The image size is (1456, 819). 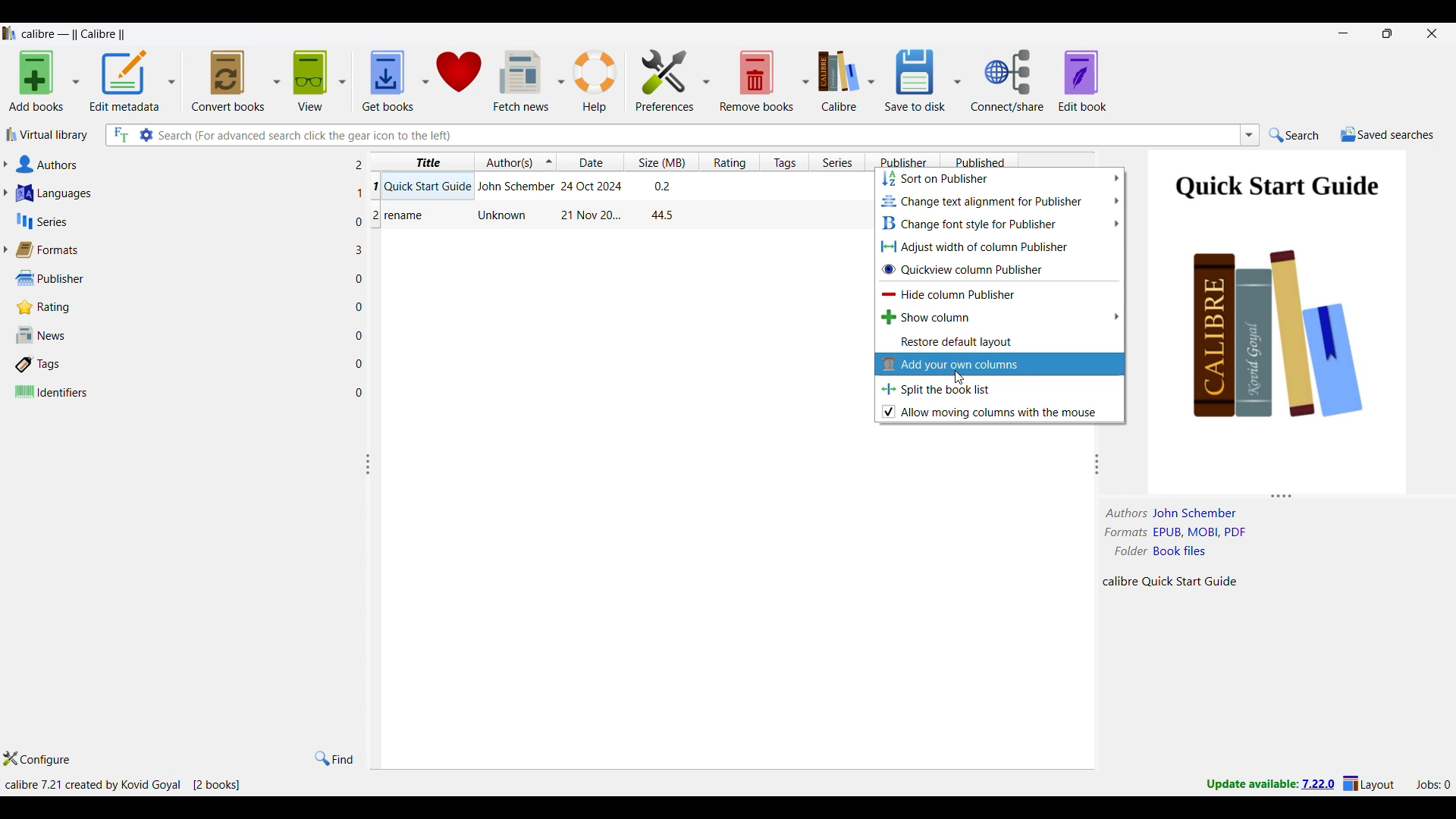 I want to click on Series, so click(x=181, y=221).